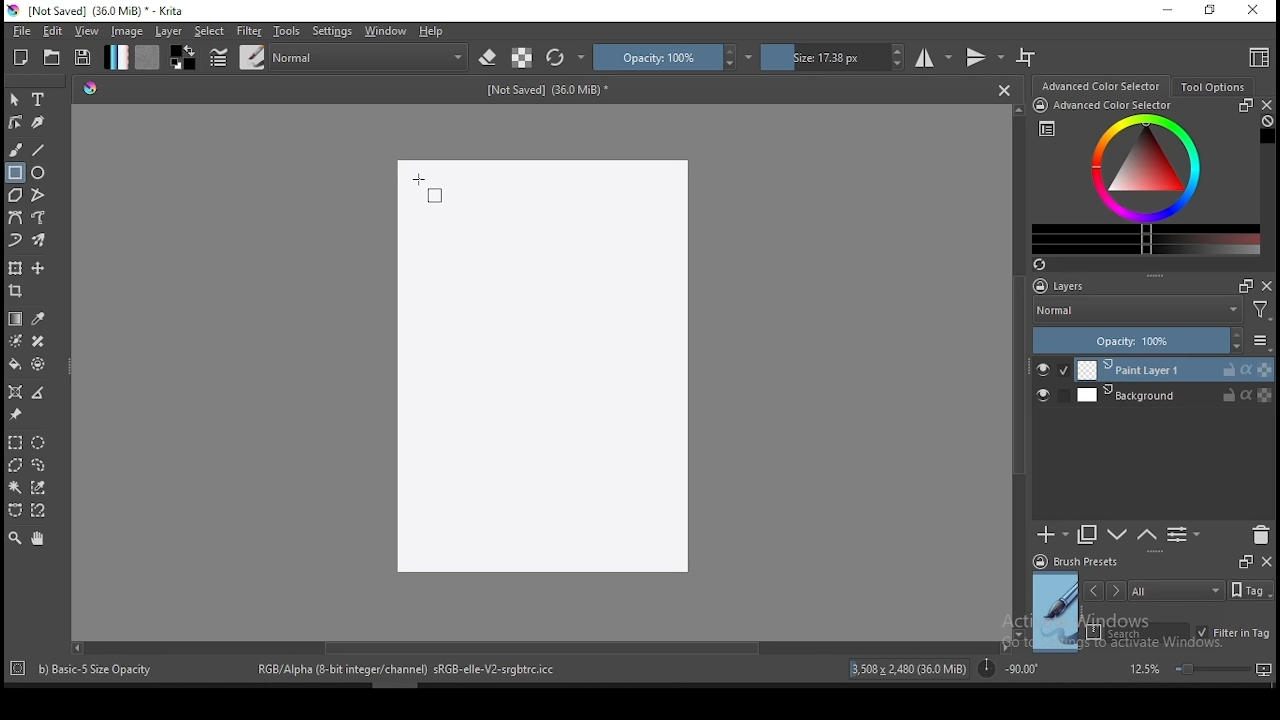 Image resolution: width=1280 pixels, height=720 pixels. Describe the element at coordinates (17, 149) in the screenshot. I see `brush tool` at that location.